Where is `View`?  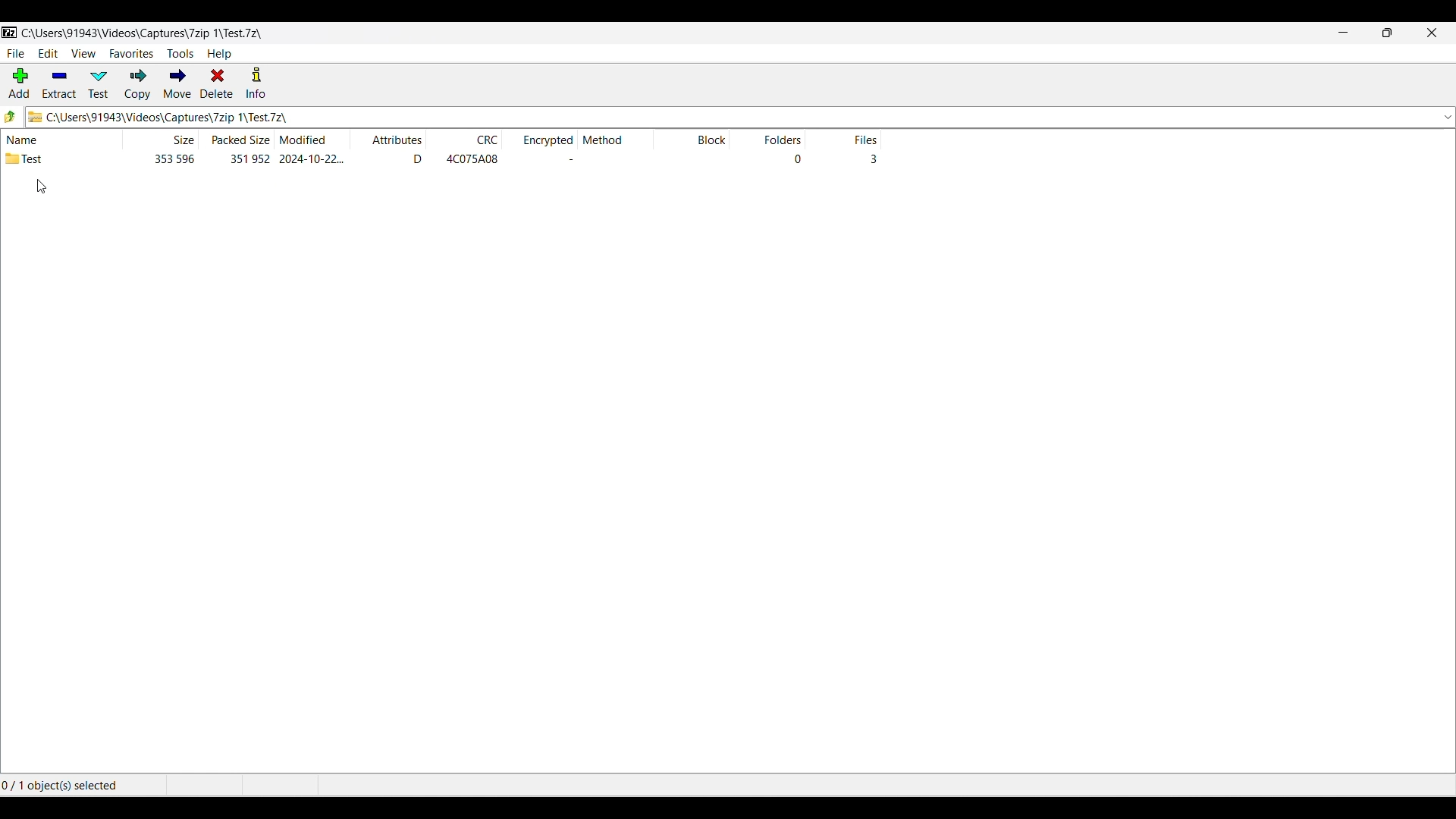
View is located at coordinates (83, 53).